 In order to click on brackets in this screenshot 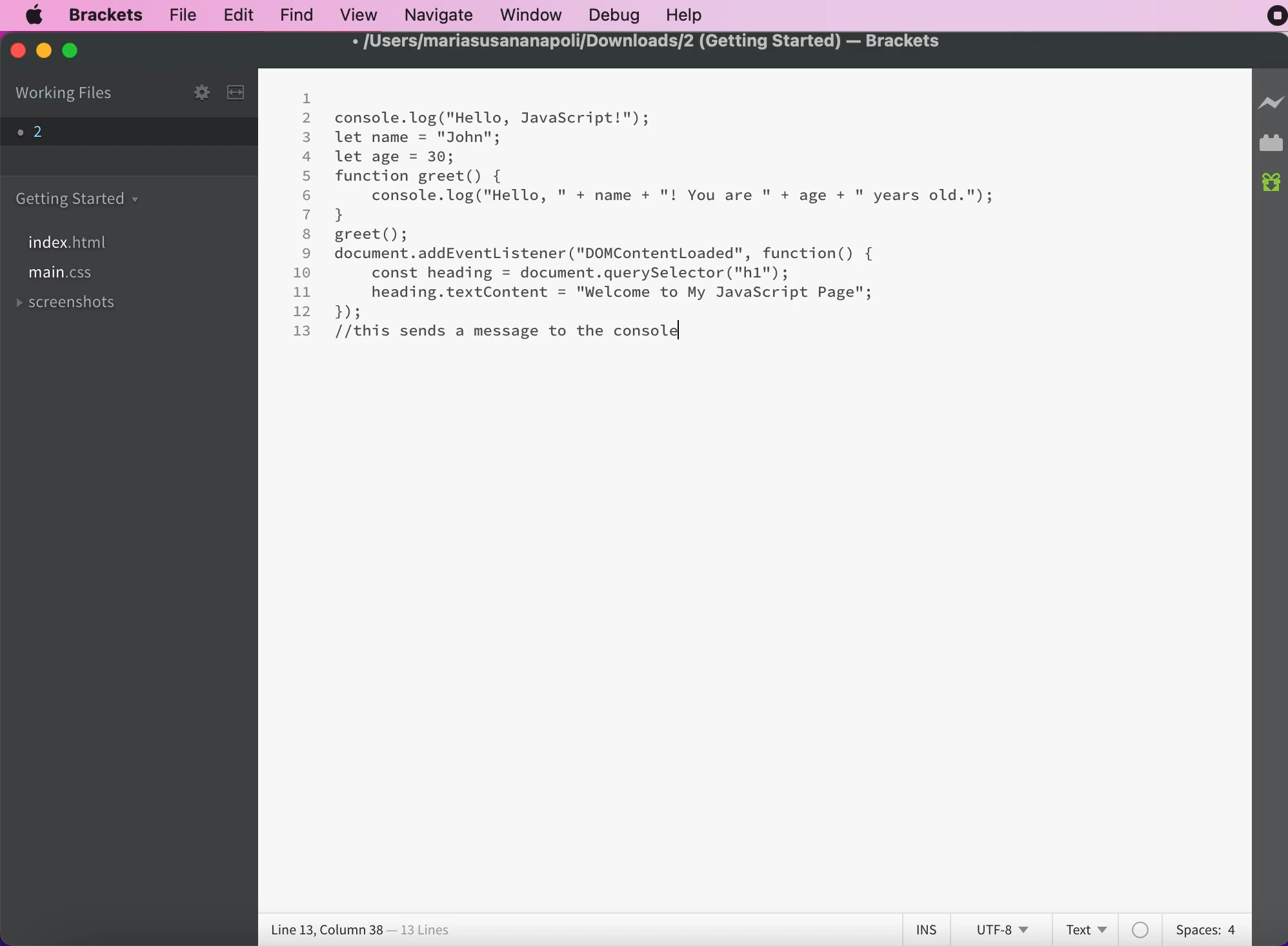, I will do `click(99, 17)`.